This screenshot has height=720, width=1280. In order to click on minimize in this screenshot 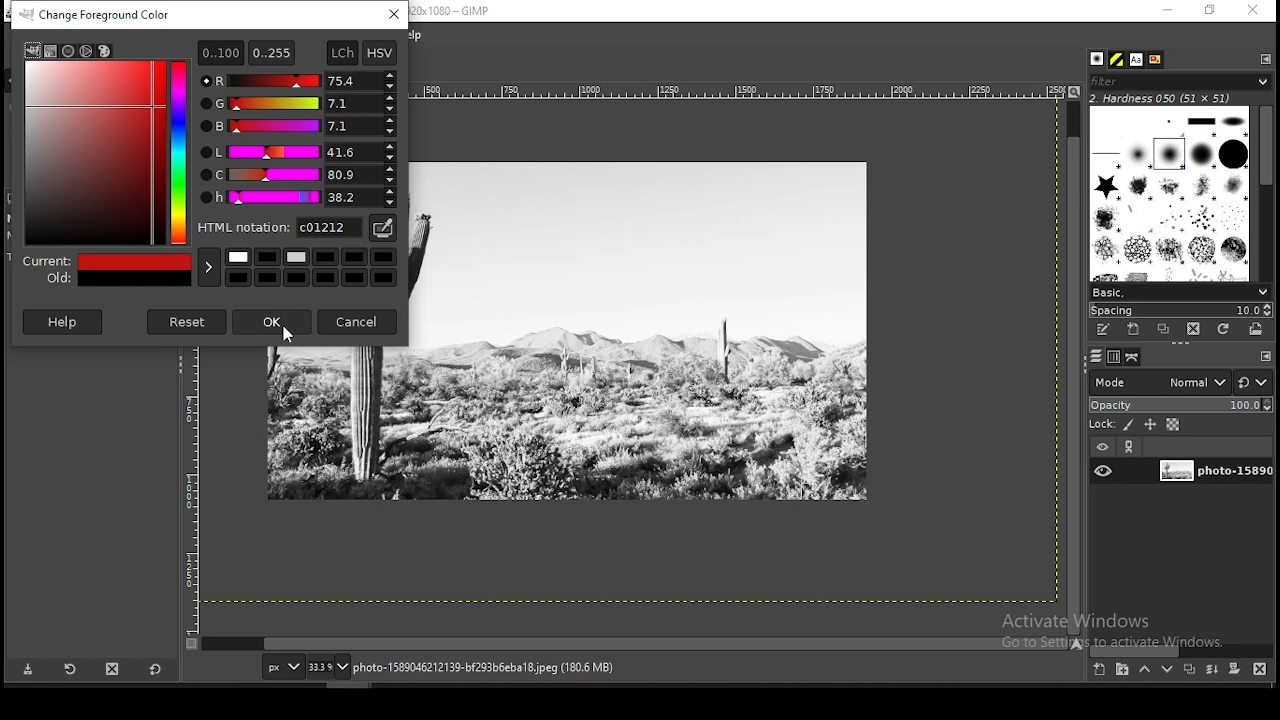, I will do `click(1168, 11)`.